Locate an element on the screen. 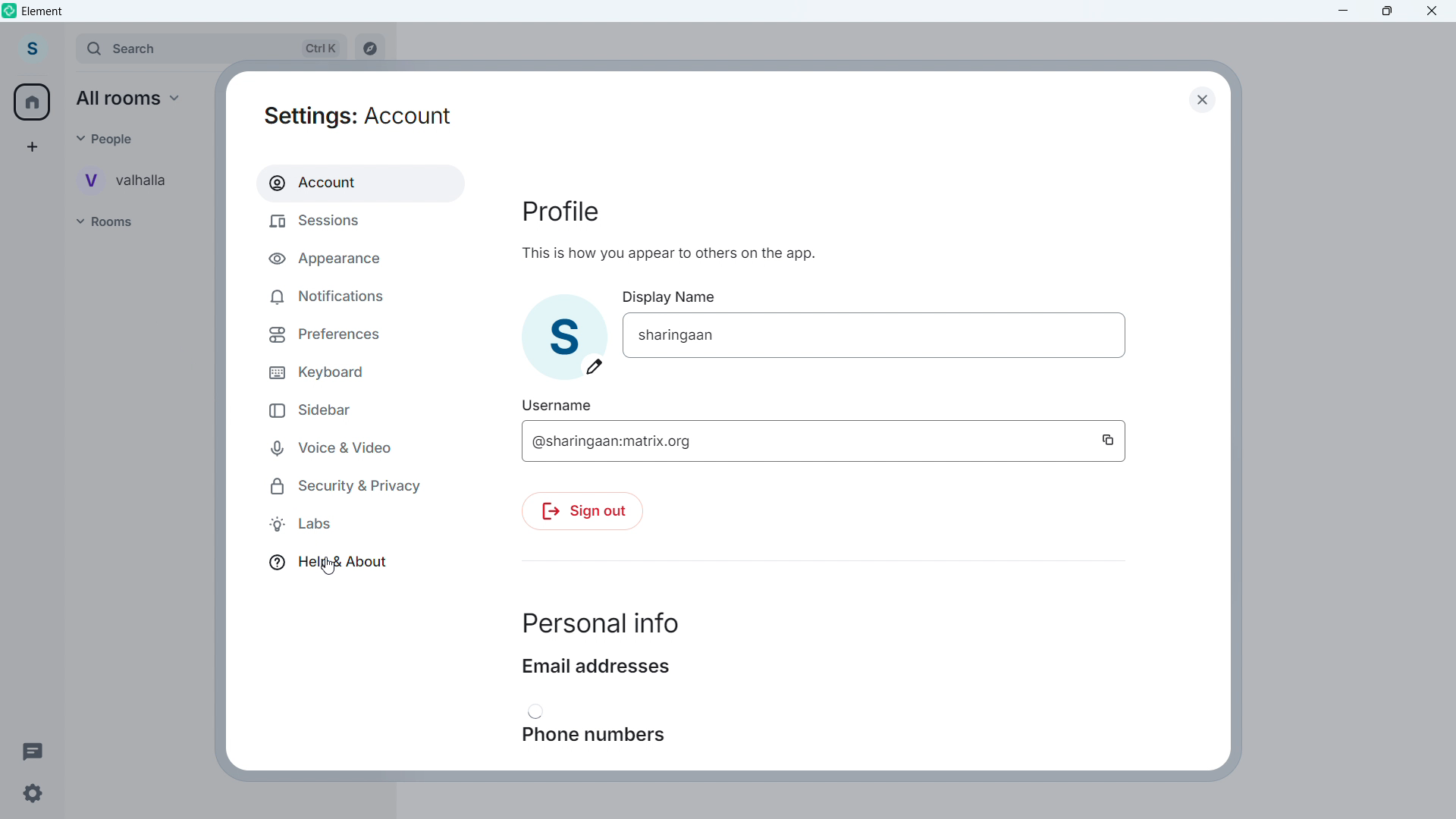 This screenshot has height=819, width=1456. Maximize  is located at coordinates (1388, 11).